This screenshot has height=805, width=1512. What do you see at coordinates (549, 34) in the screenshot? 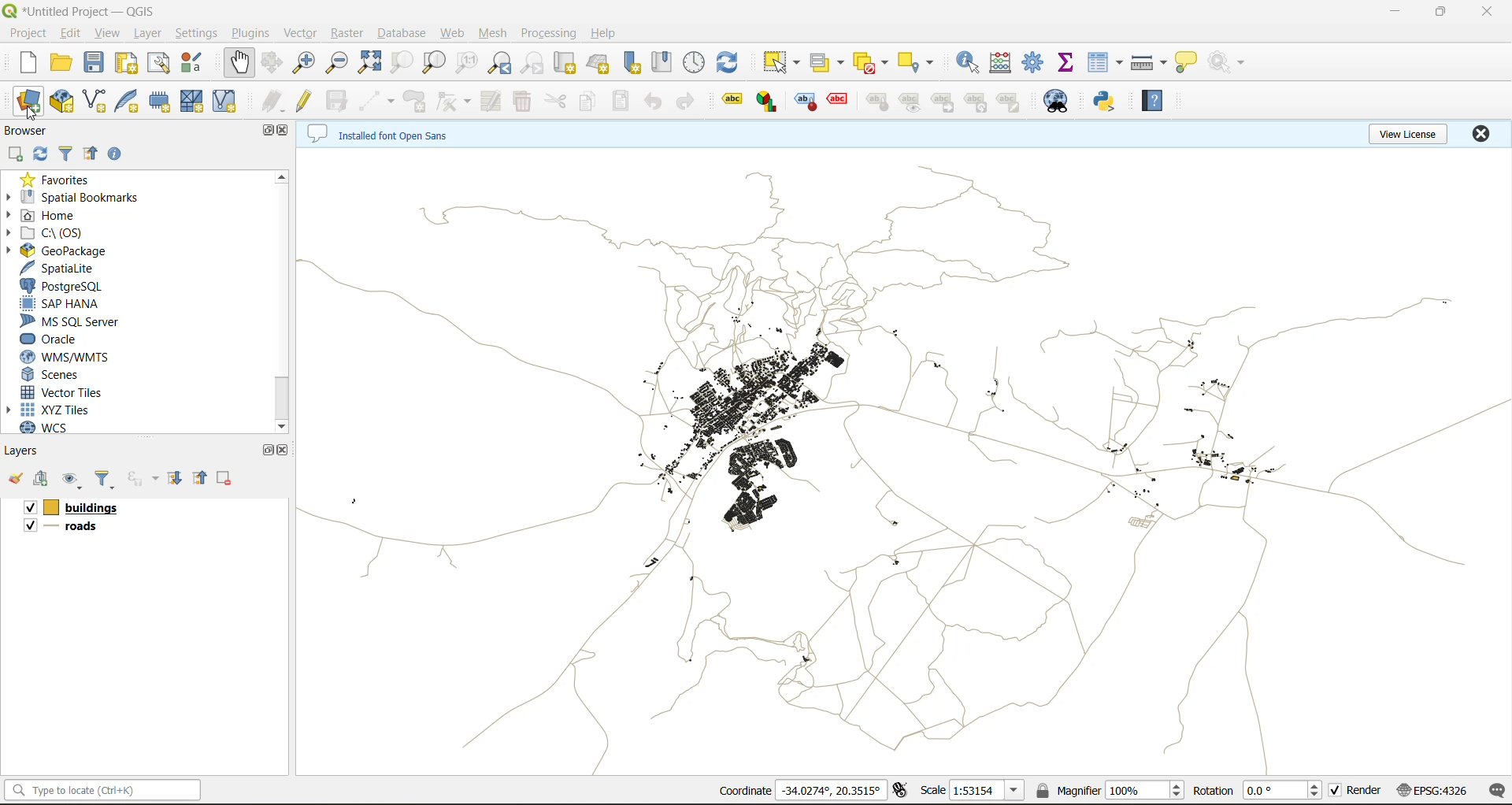
I see `processing` at bounding box center [549, 34].